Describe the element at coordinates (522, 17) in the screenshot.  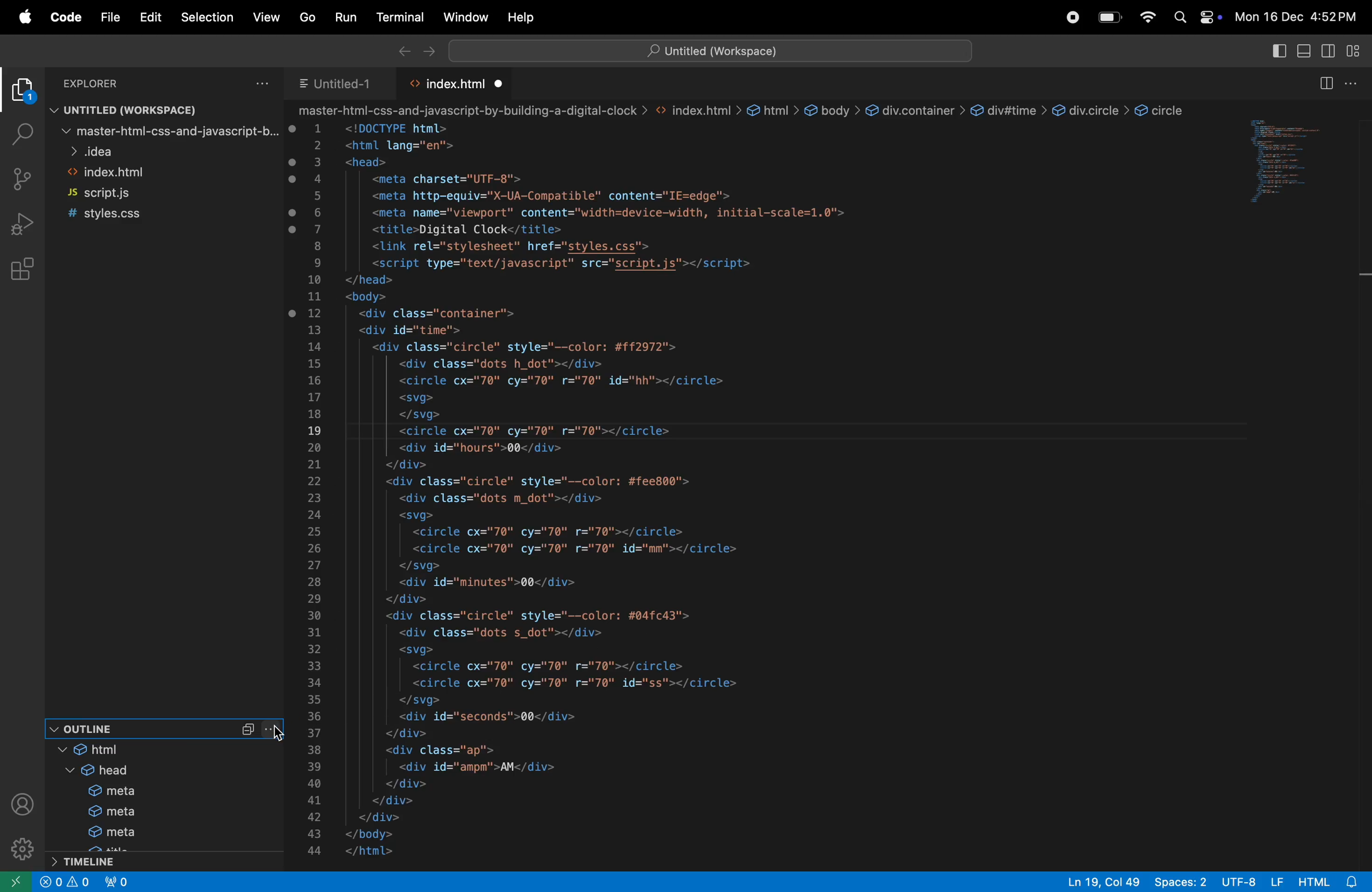
I see `help` at that location.